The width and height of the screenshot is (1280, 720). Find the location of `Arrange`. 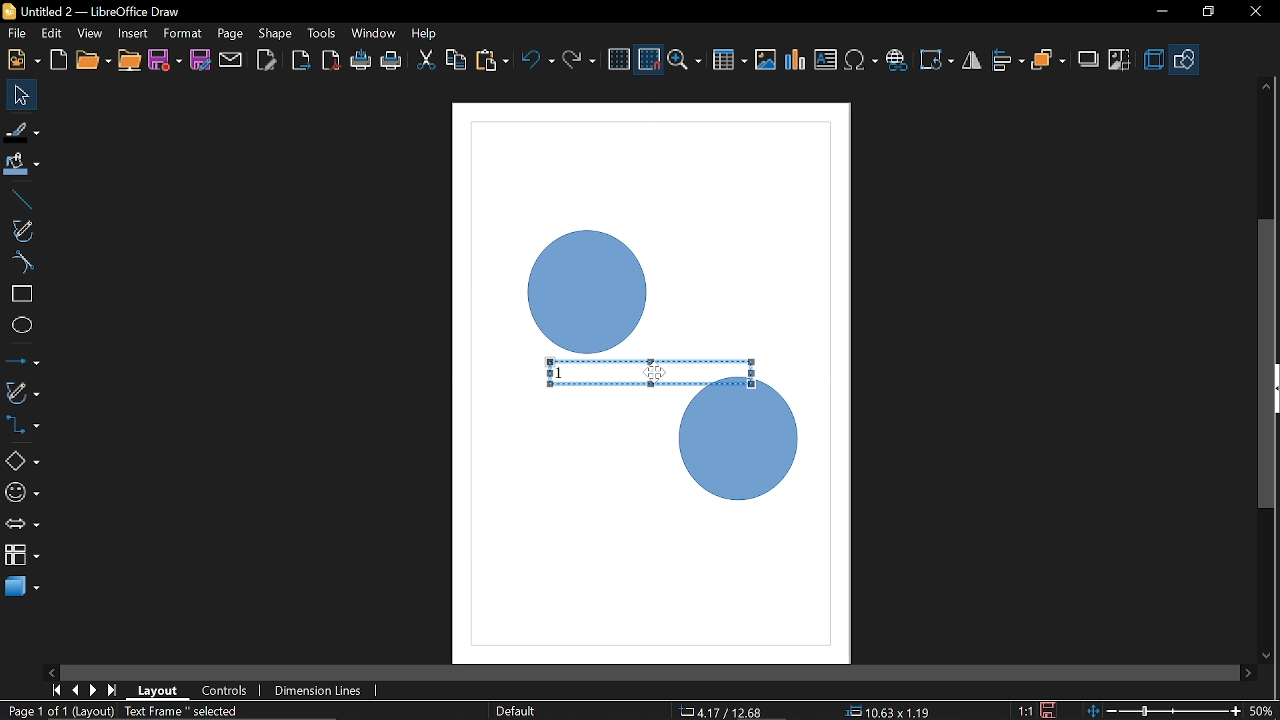

Arrange is located at coordinates (1048, 61).